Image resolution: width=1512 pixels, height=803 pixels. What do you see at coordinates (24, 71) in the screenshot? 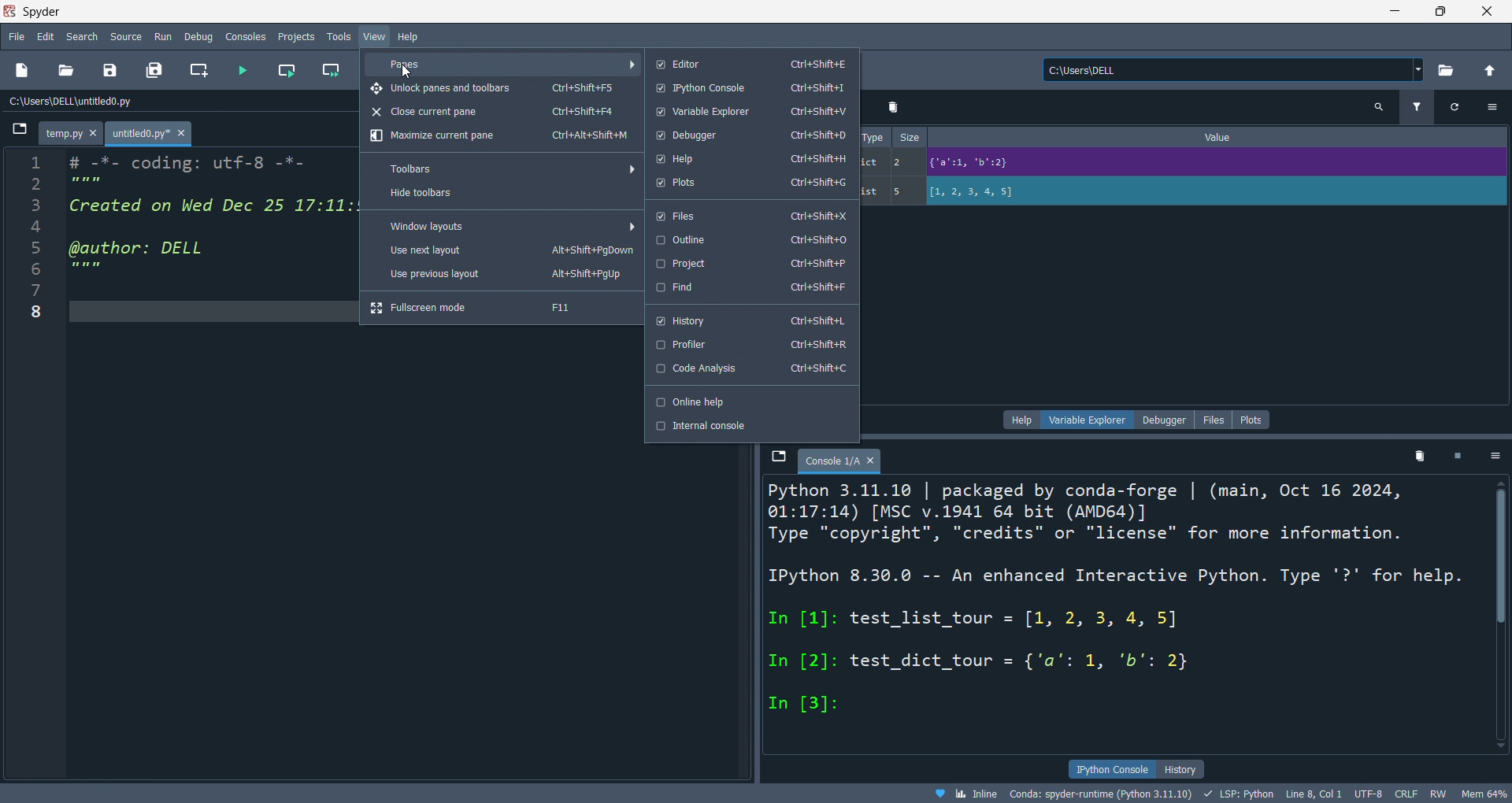
I see `new file` at bounding box center [24, 71].